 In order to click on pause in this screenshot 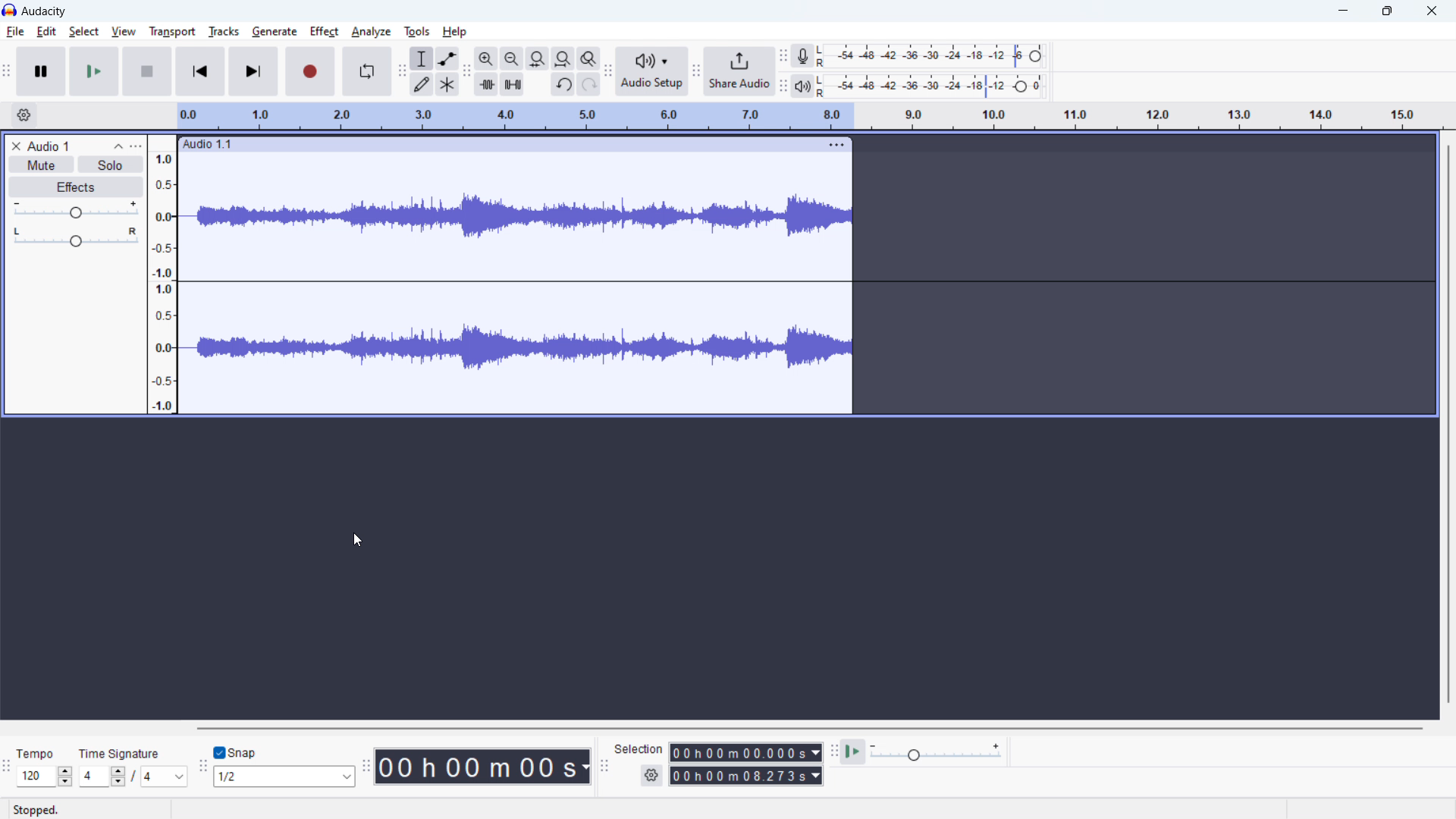, I will do `click(41, 71)`.